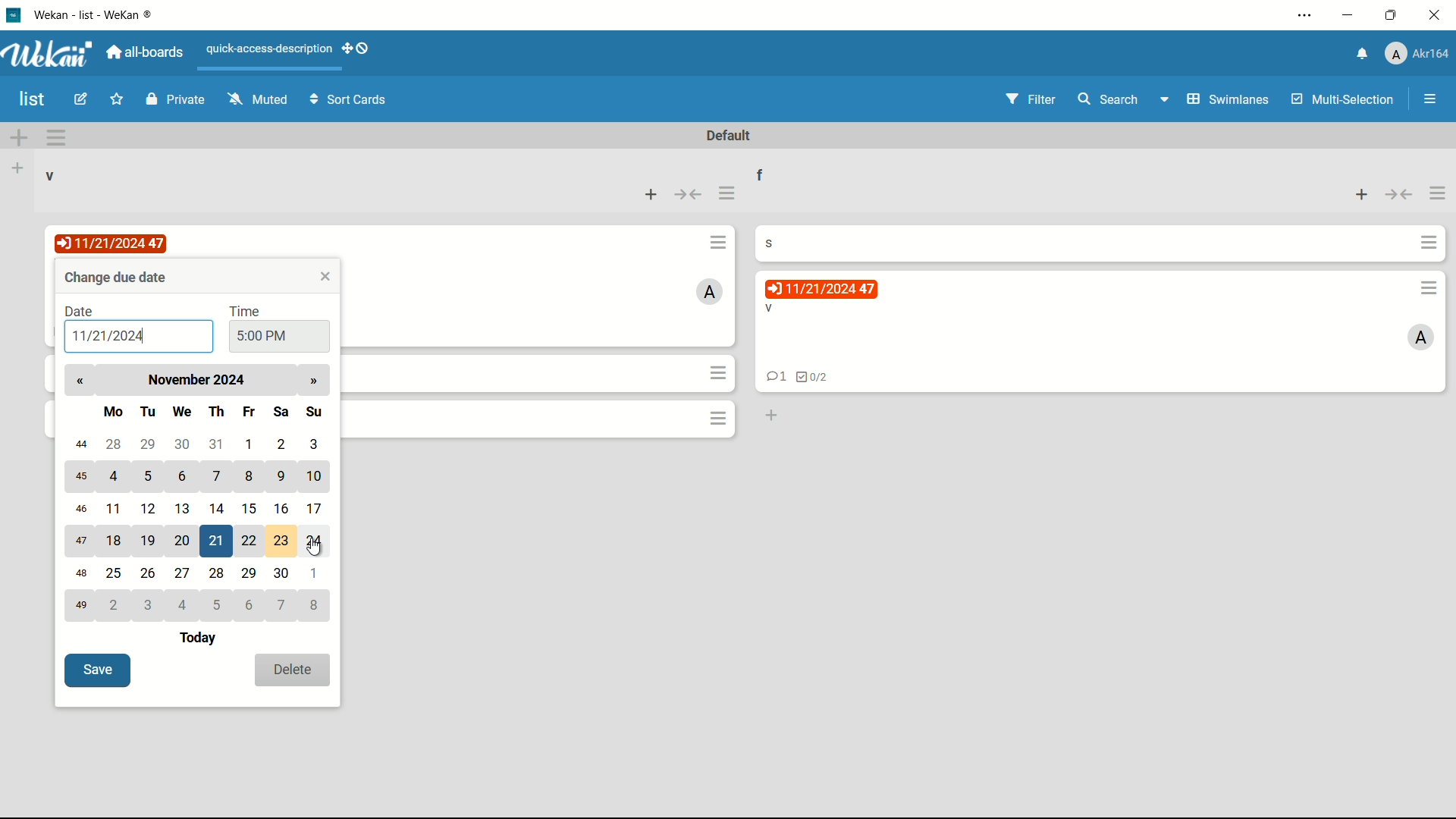 This screenshot has height=819, width=1456. Describe the element at coordinates (1351, 15) in the screenshot. I see `minimize` at that location.